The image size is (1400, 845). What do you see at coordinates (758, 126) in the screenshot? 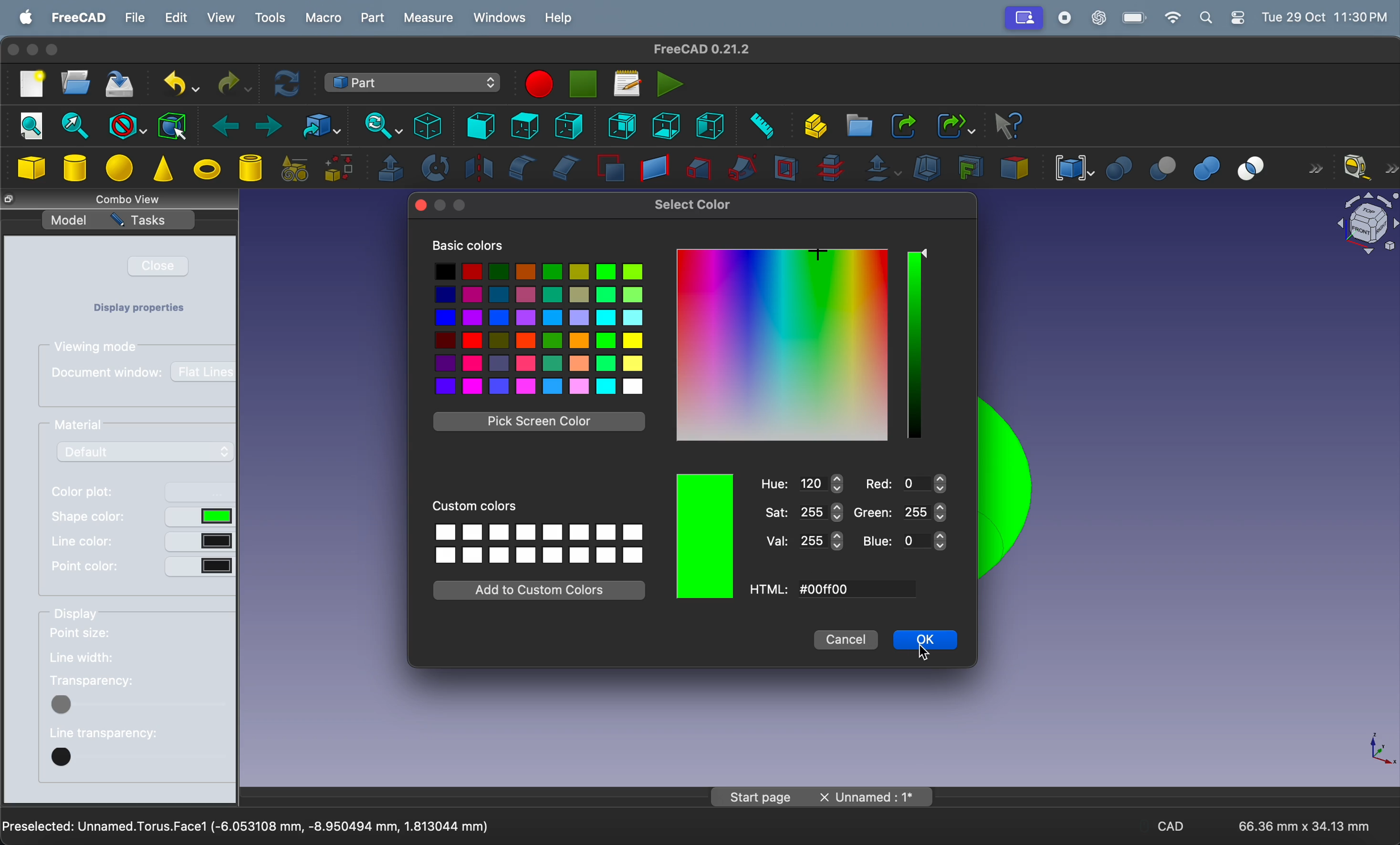
I see `measure distance` at bounding box center [758, 126].